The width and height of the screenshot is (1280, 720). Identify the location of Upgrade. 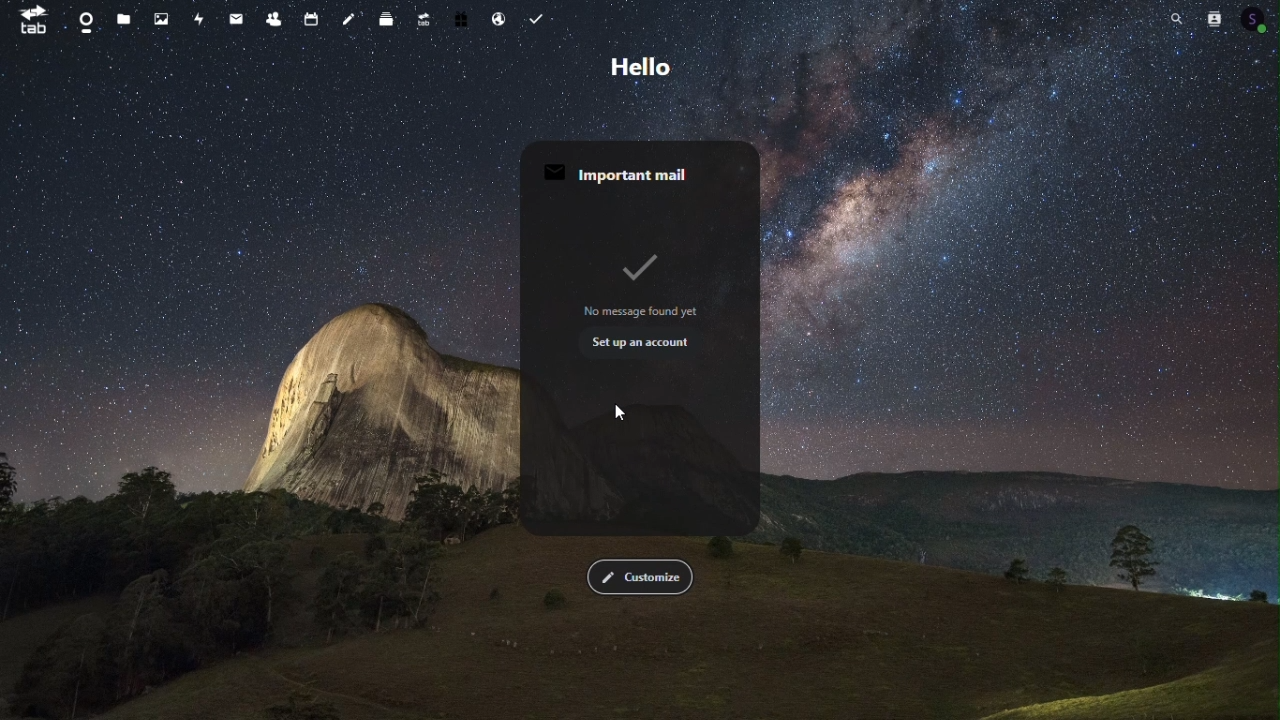
(419, 18).